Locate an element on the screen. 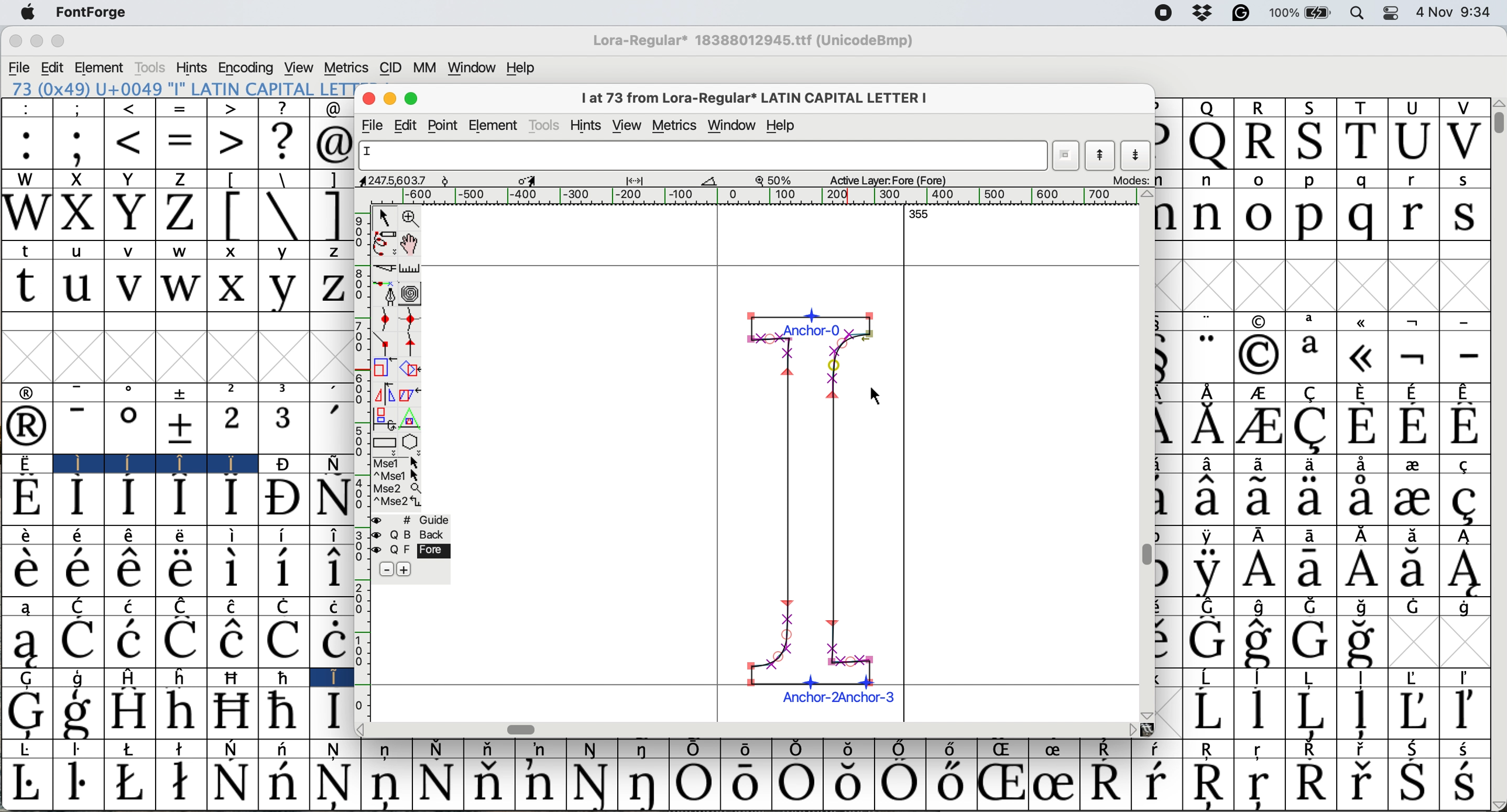 This screenshot has width=1507, height=812. Symbol is located at coordinates (333, 535).